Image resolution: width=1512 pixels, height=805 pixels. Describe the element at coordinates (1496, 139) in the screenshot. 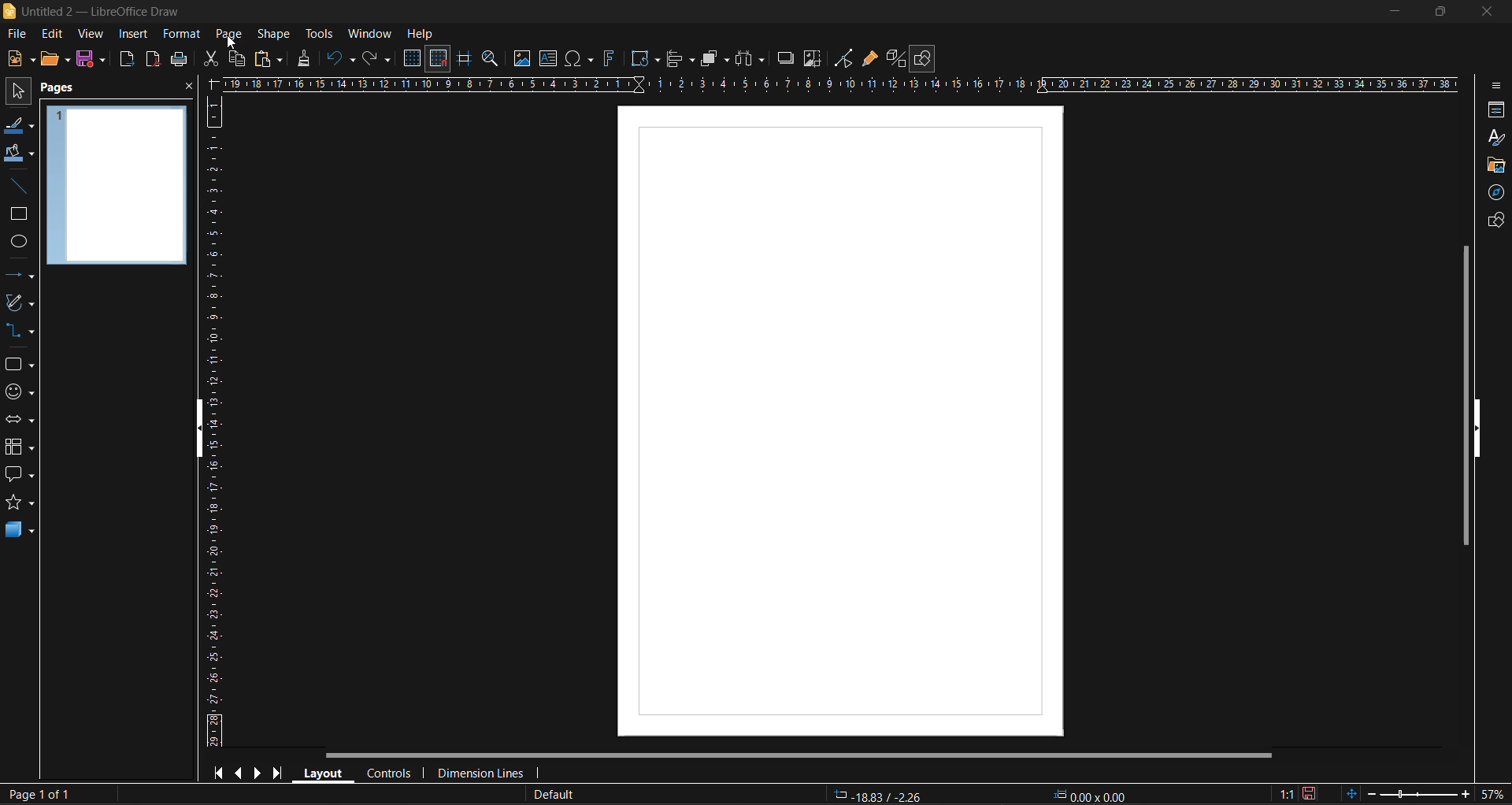

I see `styles` at that location.